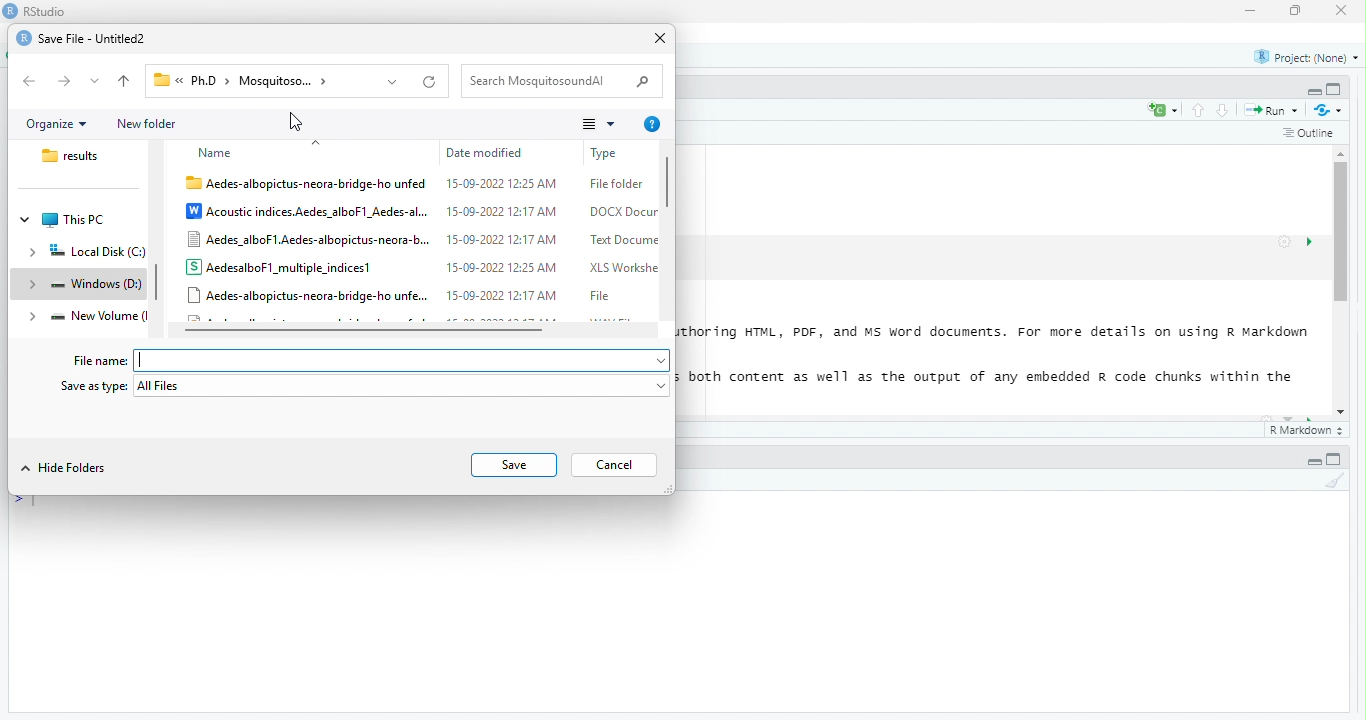 Image resolution: width=1366 pixels, height=720 pixels. I want to click on up, so click(1199, 110).